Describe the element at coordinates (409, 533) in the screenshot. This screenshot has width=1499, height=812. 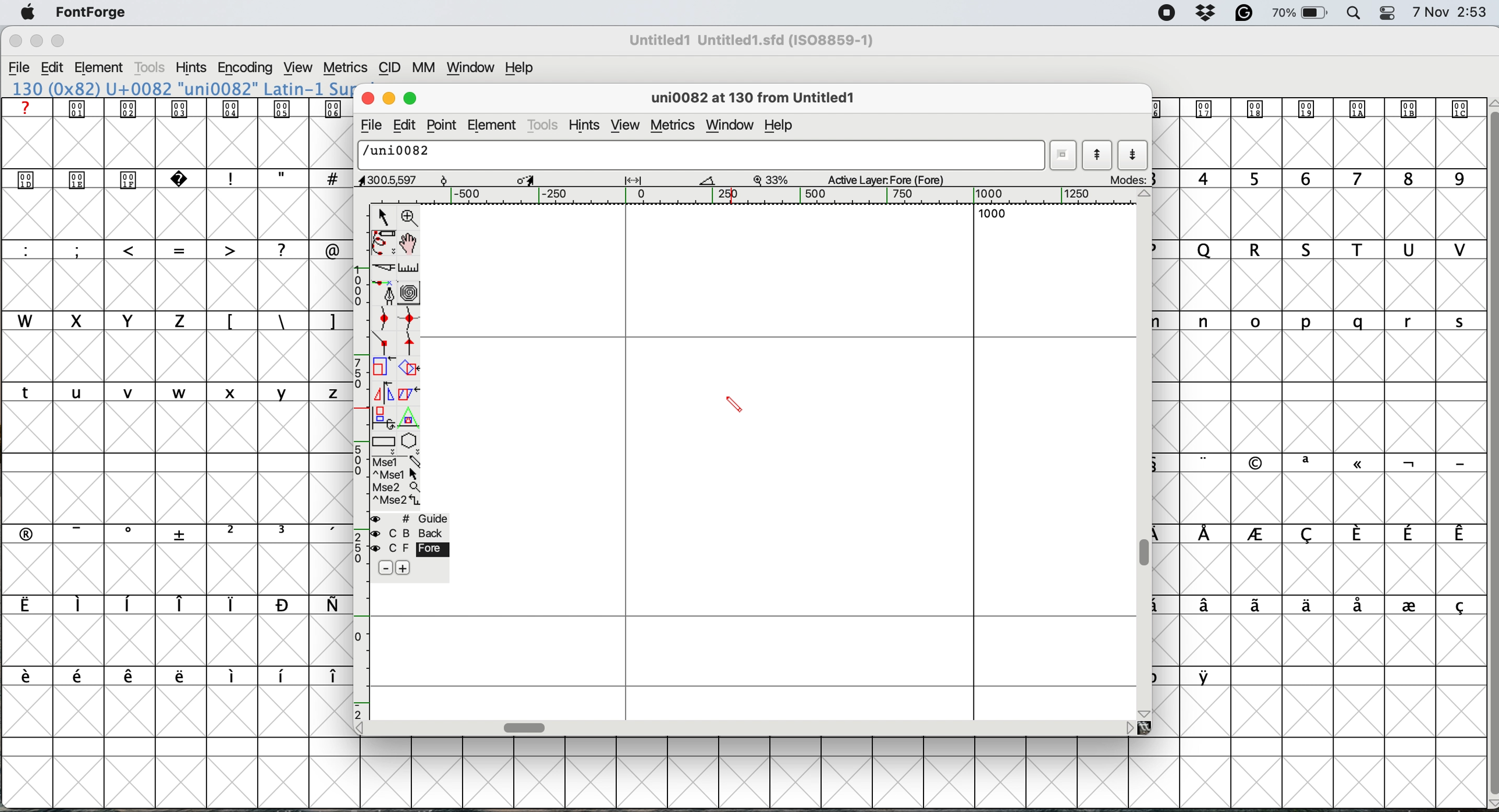
I see `back` at that location.